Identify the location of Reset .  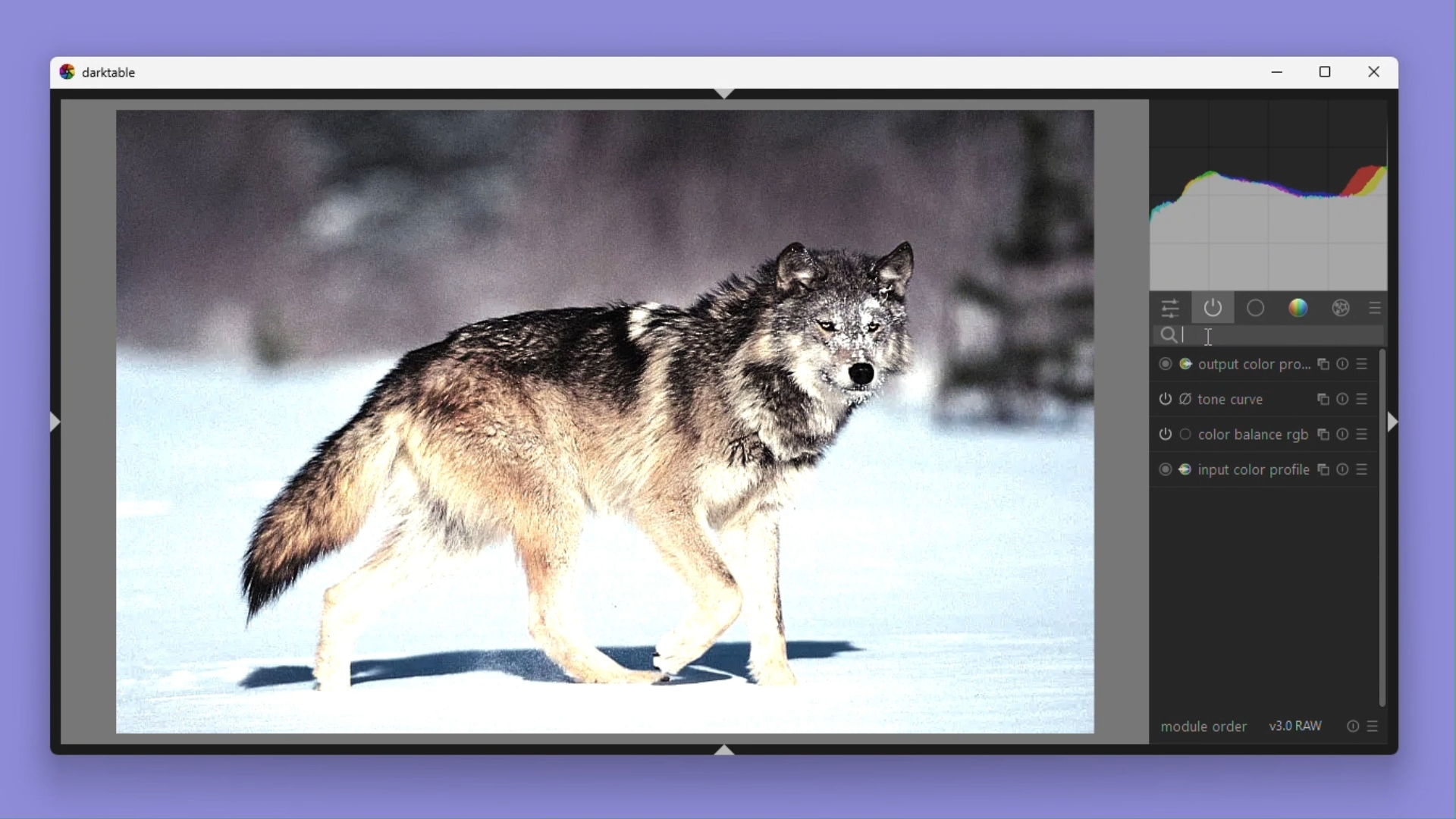
(1345, 435).